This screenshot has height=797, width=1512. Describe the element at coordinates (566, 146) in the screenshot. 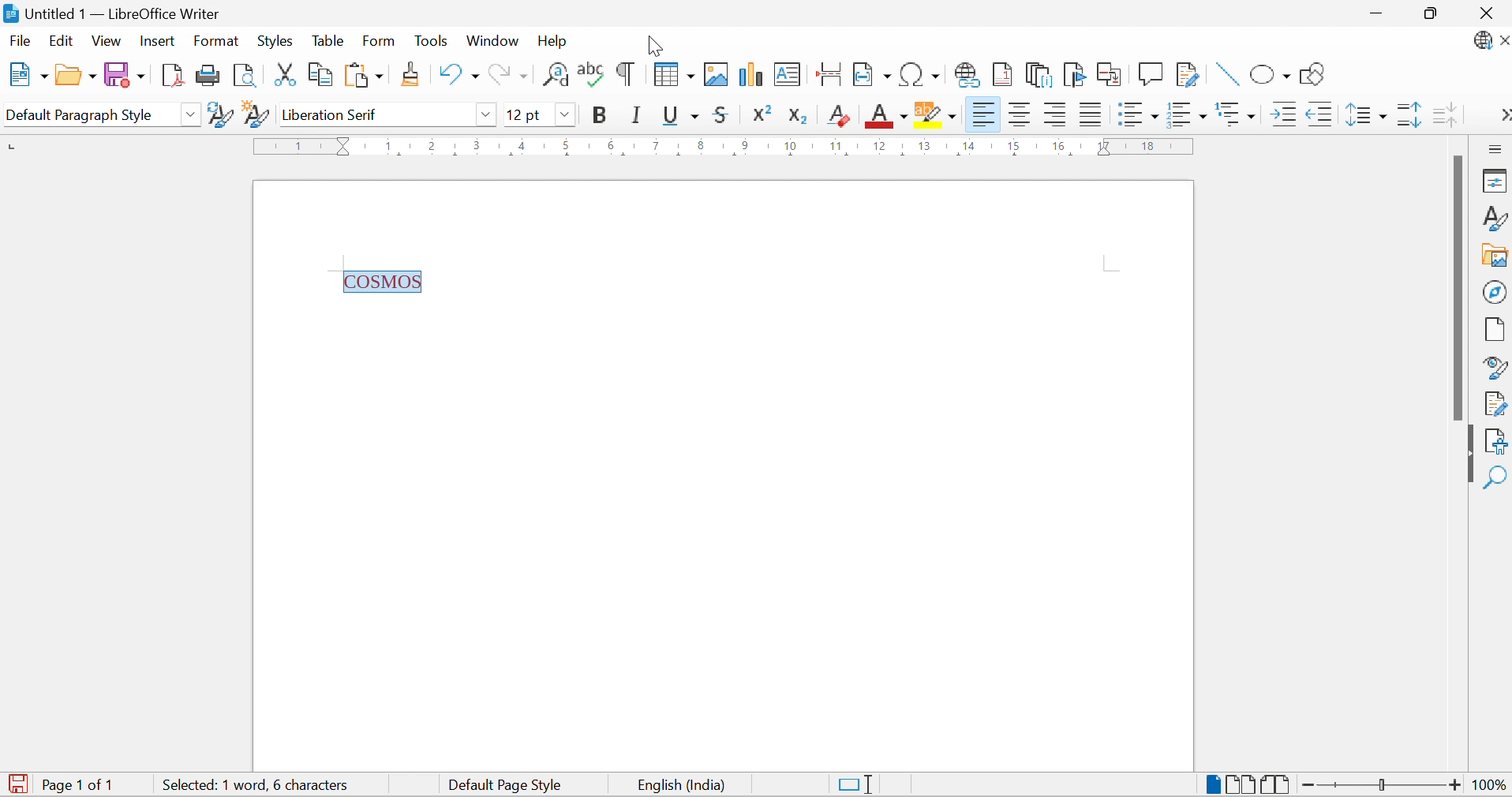

I see `5` at that location.